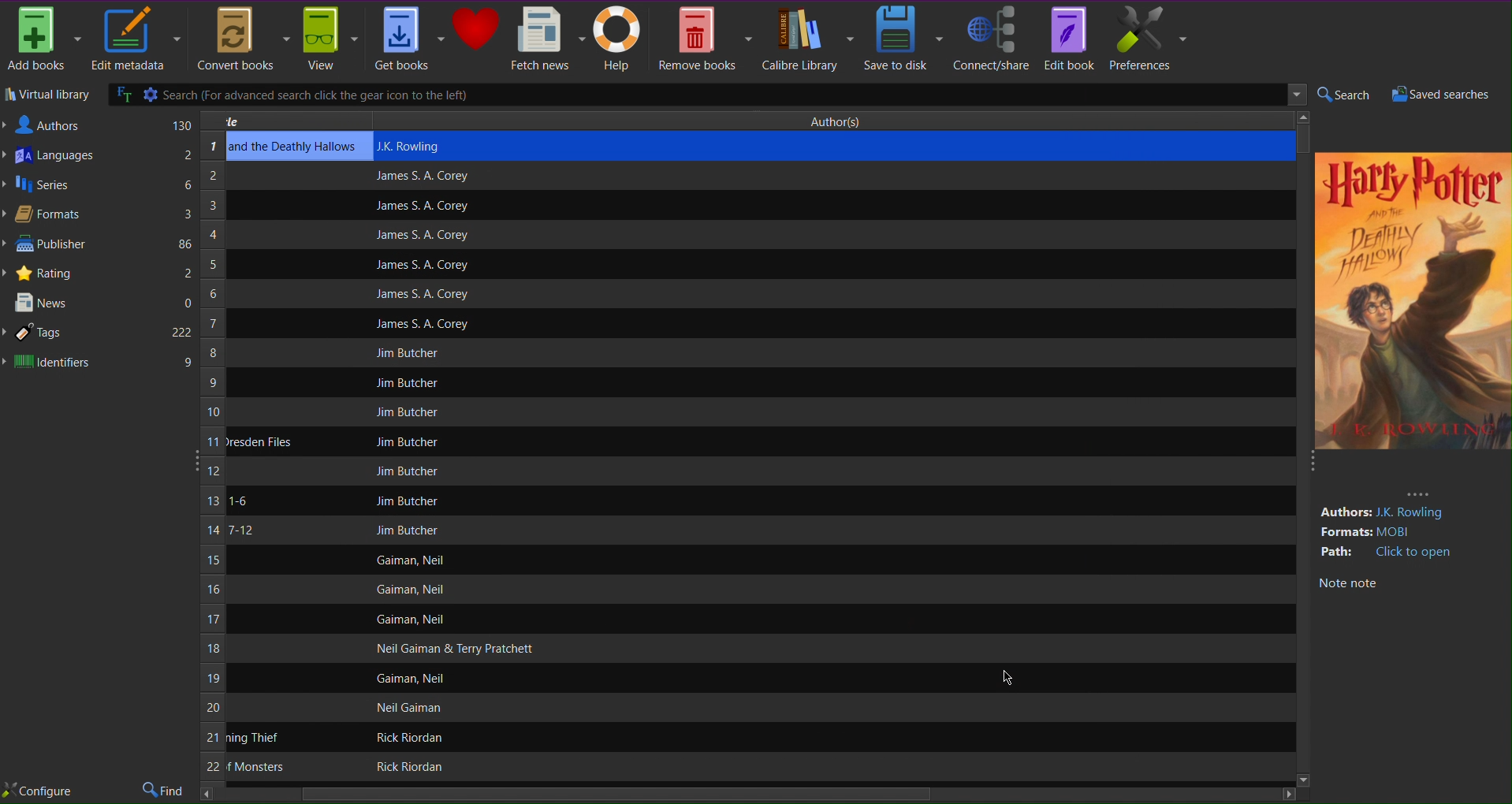  What do you see at coordinates (1412, 331) in the screenshot?
I see `Cover Preview` at bounding box center [1412, 331].